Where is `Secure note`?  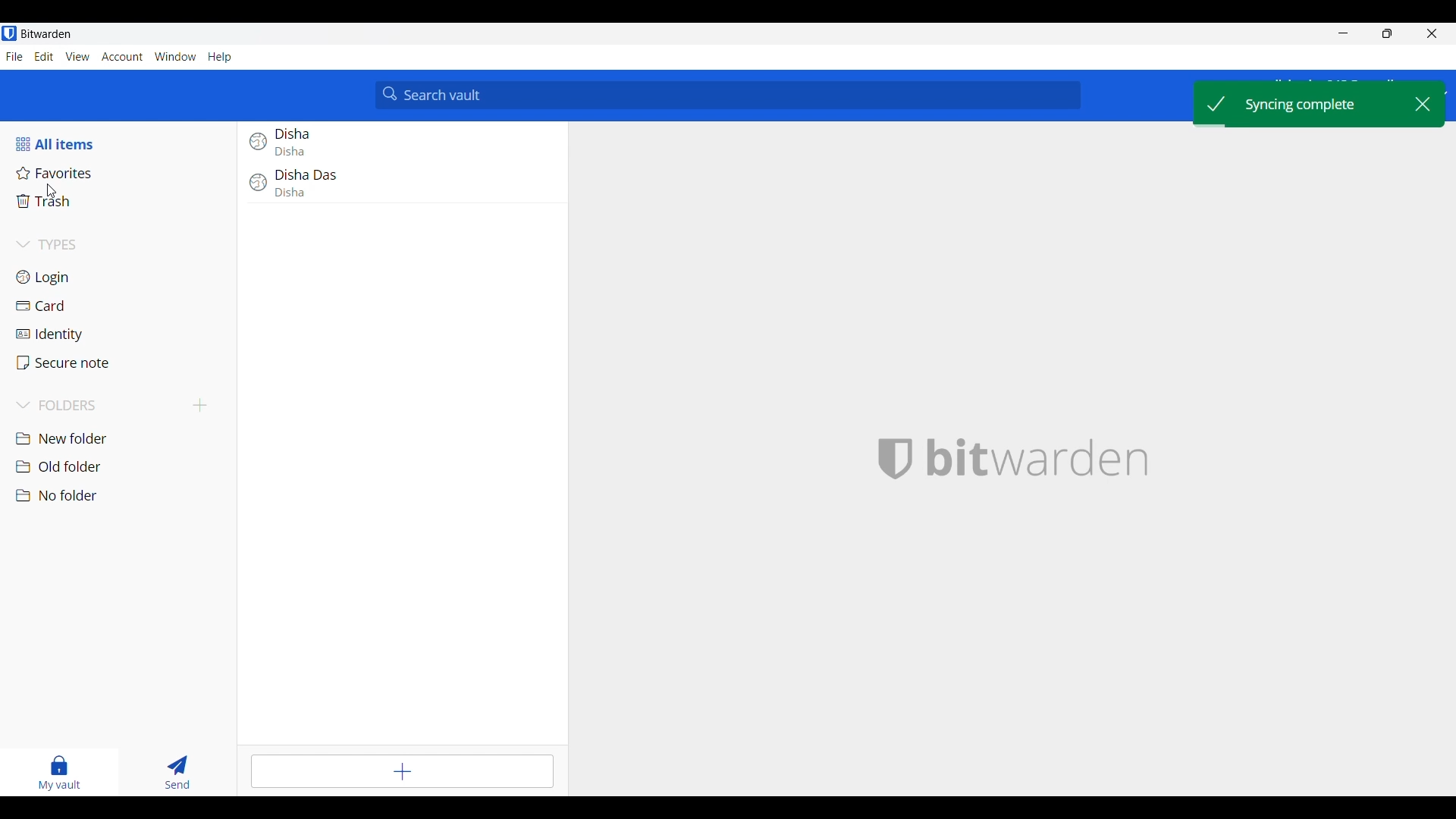
Secure note is located at coordinates (122, 363).